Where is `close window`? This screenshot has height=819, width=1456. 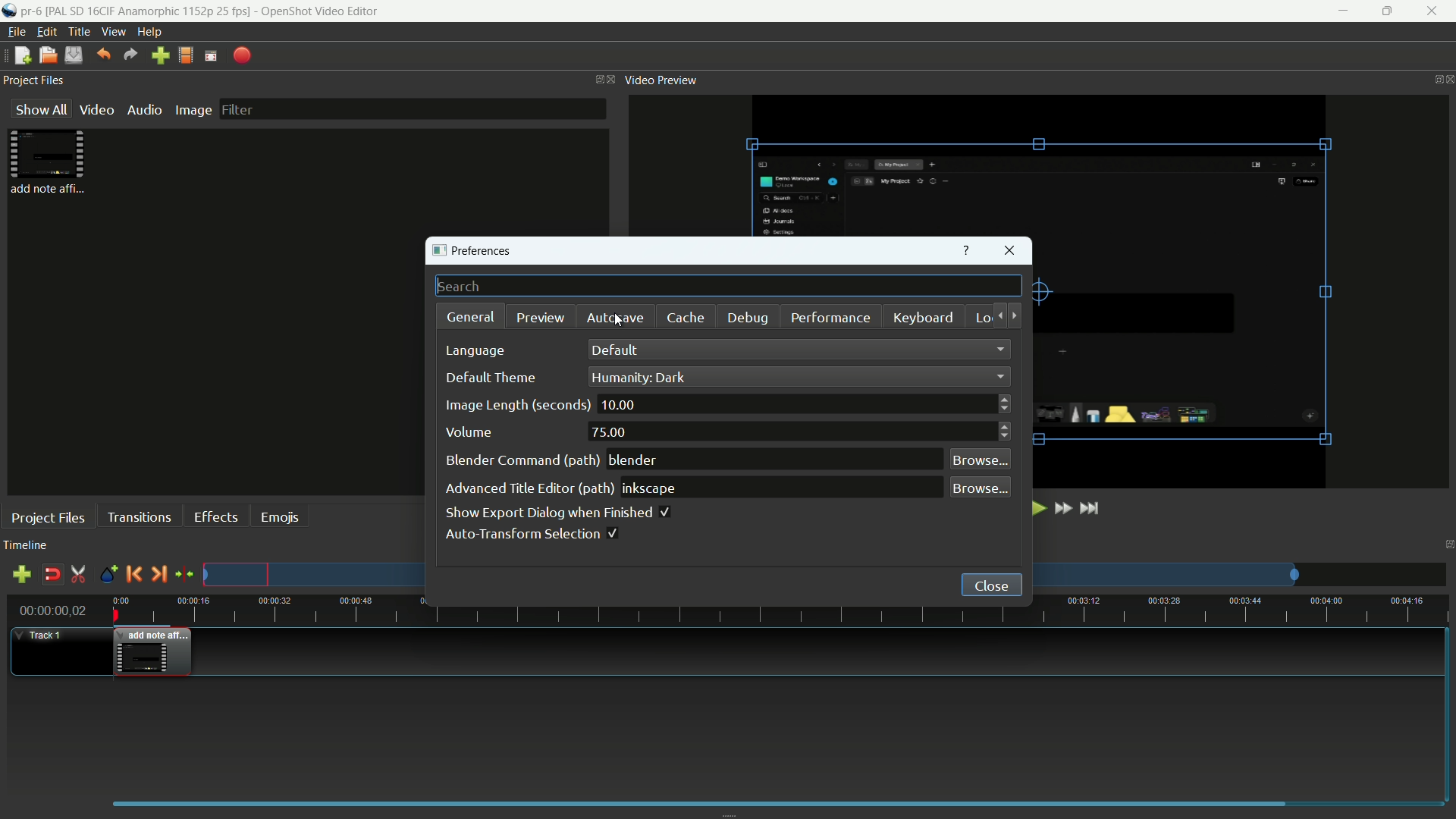
close window is located at coordinates (1009, 250).